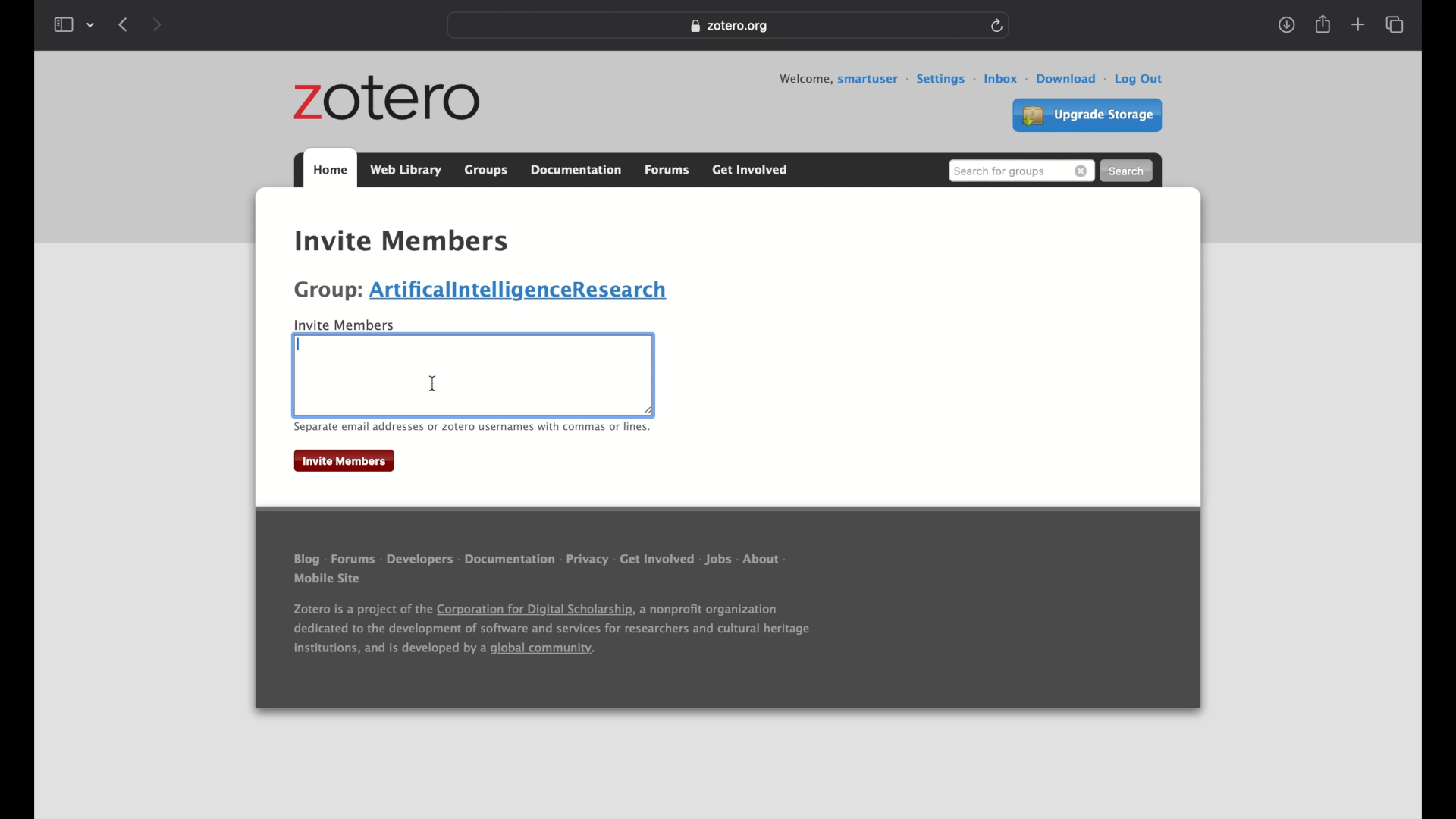 The width and height of the screenshot is (1456, 819). What do you see at coordinates (600, 213) in the screenshot?
I see `settings` at bounding box center [600, 213].